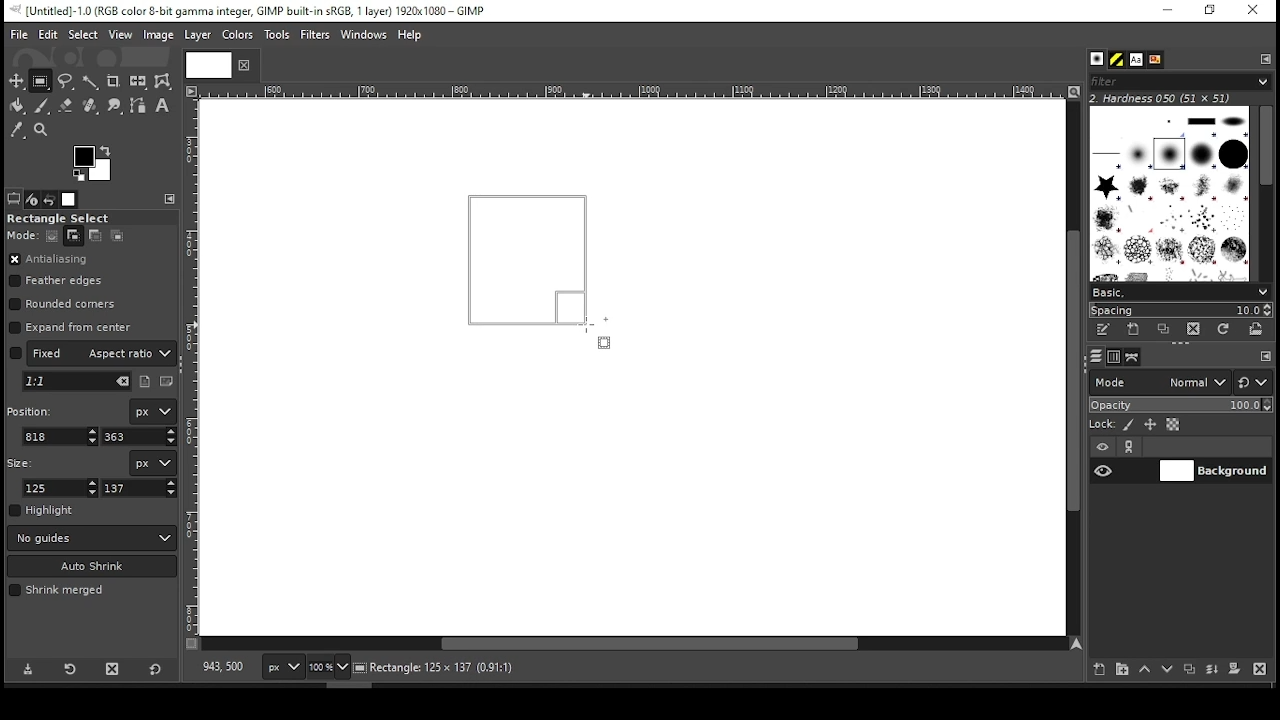 This screenshot has height=720, width=1280. Describe the element at coordinates (1212, 670) in the screenshot. I see `merge layer` at that location.